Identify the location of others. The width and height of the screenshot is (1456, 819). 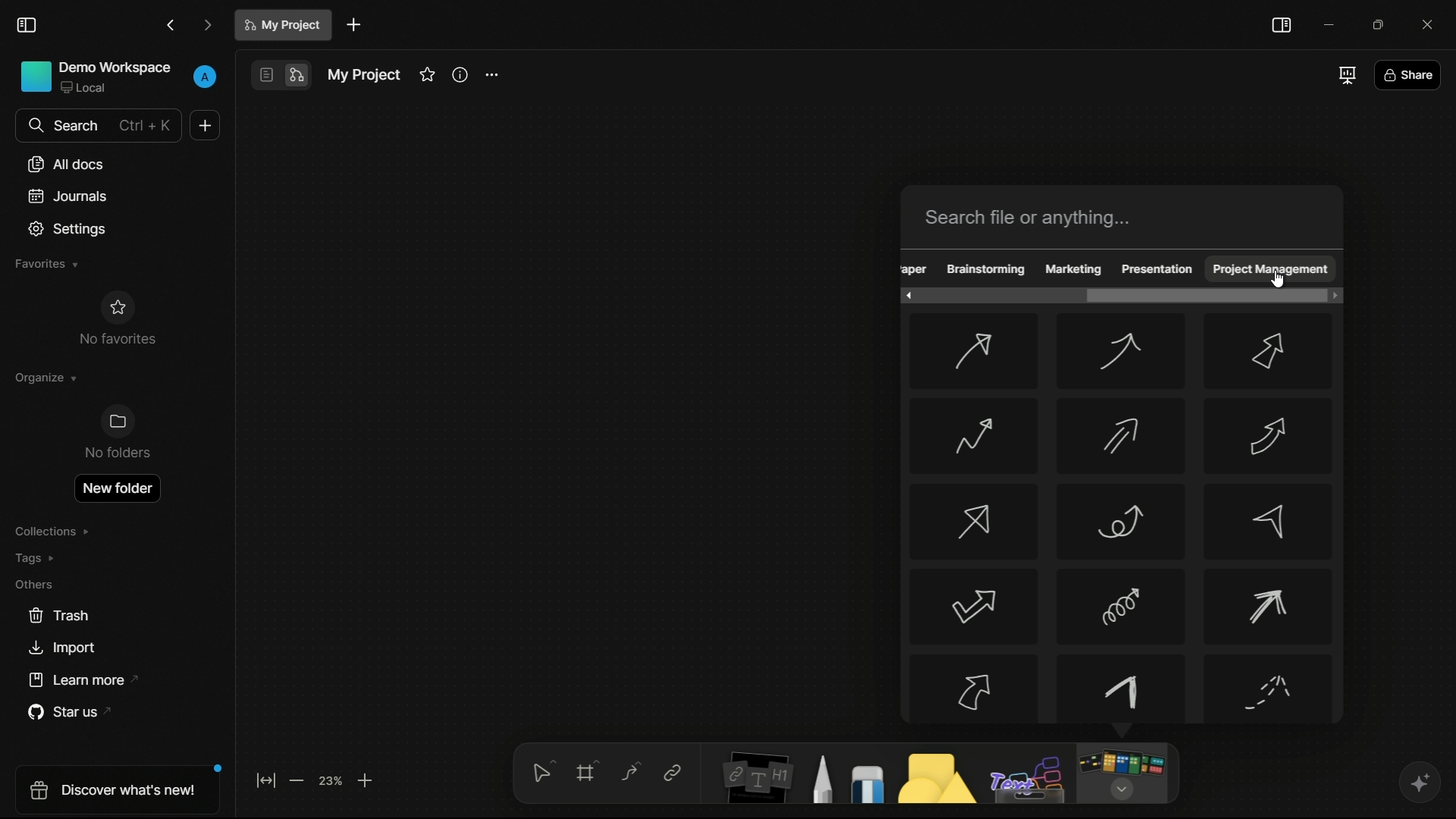
(1029, 780).